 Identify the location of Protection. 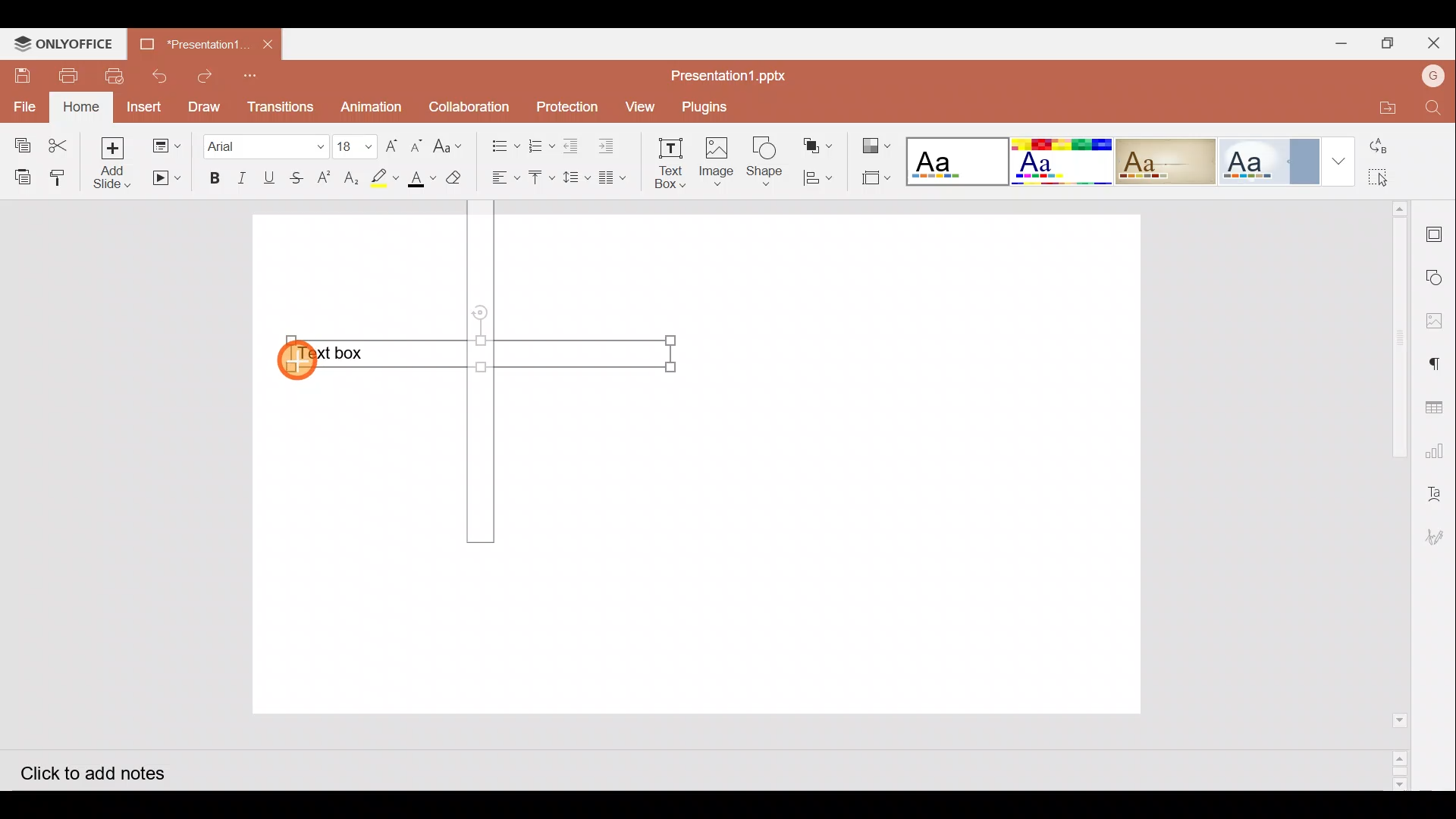
(566, 108).